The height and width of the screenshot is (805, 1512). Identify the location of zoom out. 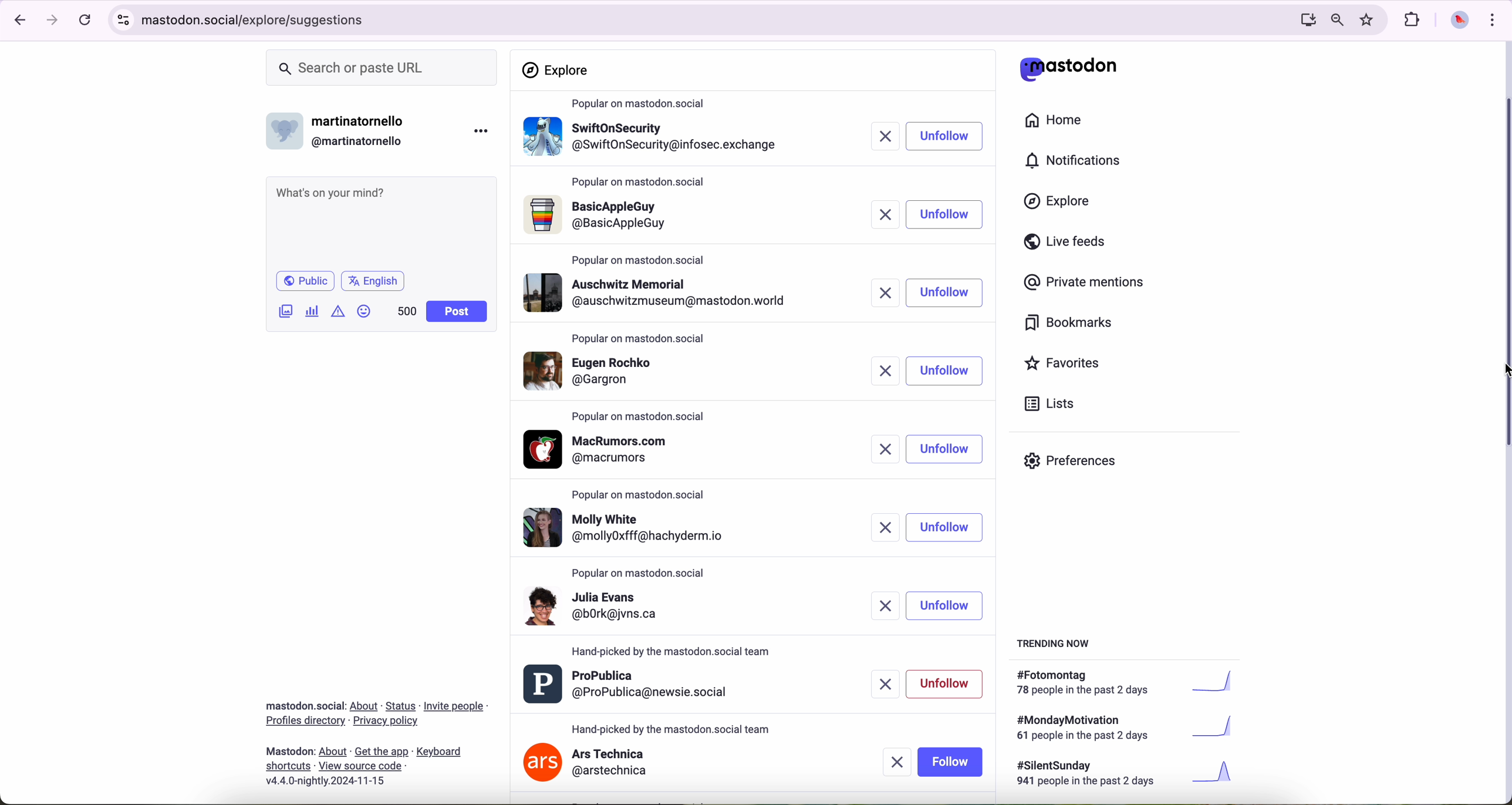
(1336, 19).